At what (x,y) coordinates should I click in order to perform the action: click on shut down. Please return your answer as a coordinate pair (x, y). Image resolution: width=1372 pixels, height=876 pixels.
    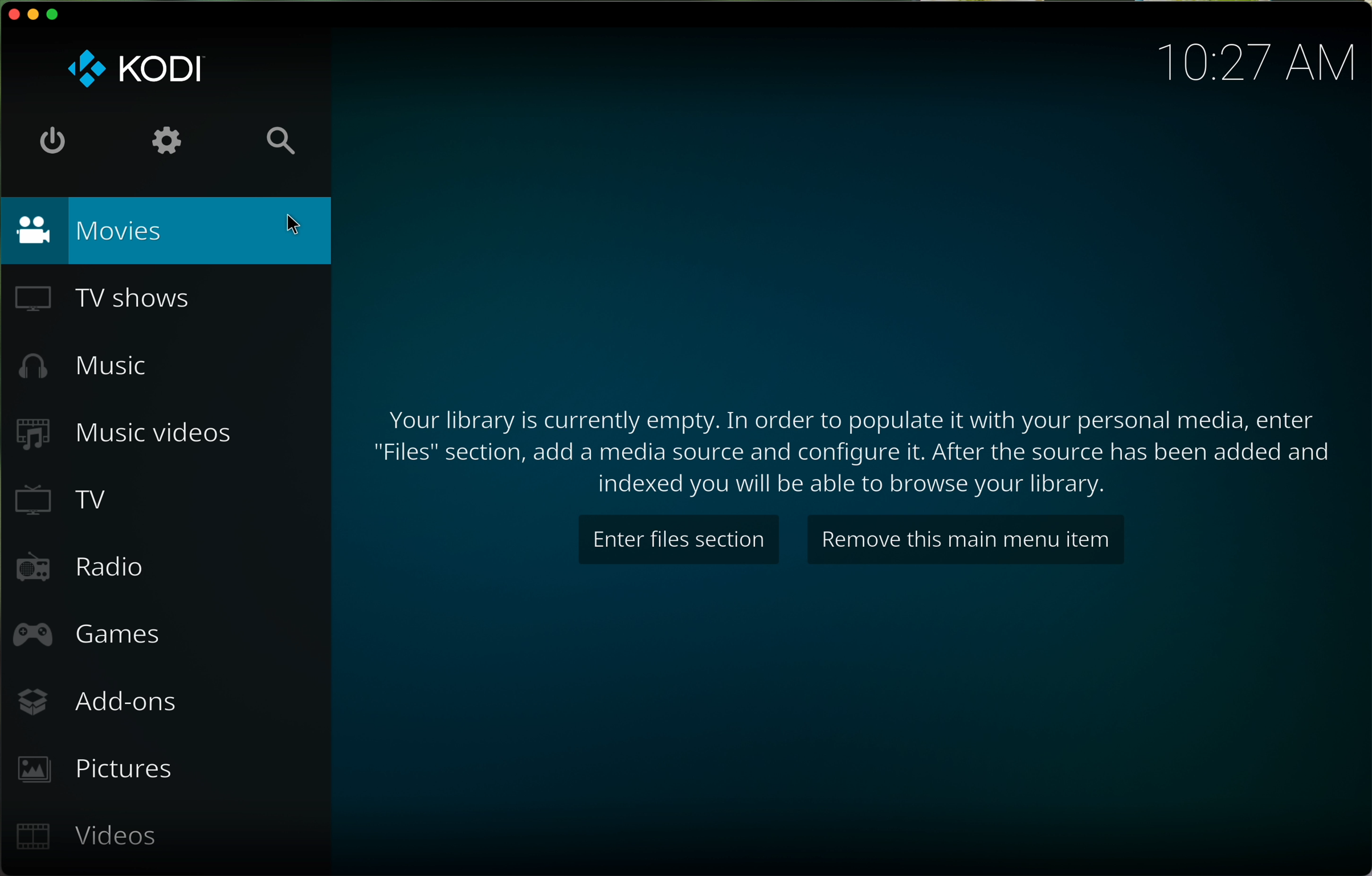
    Looking at the image, I should click on (54, 141).